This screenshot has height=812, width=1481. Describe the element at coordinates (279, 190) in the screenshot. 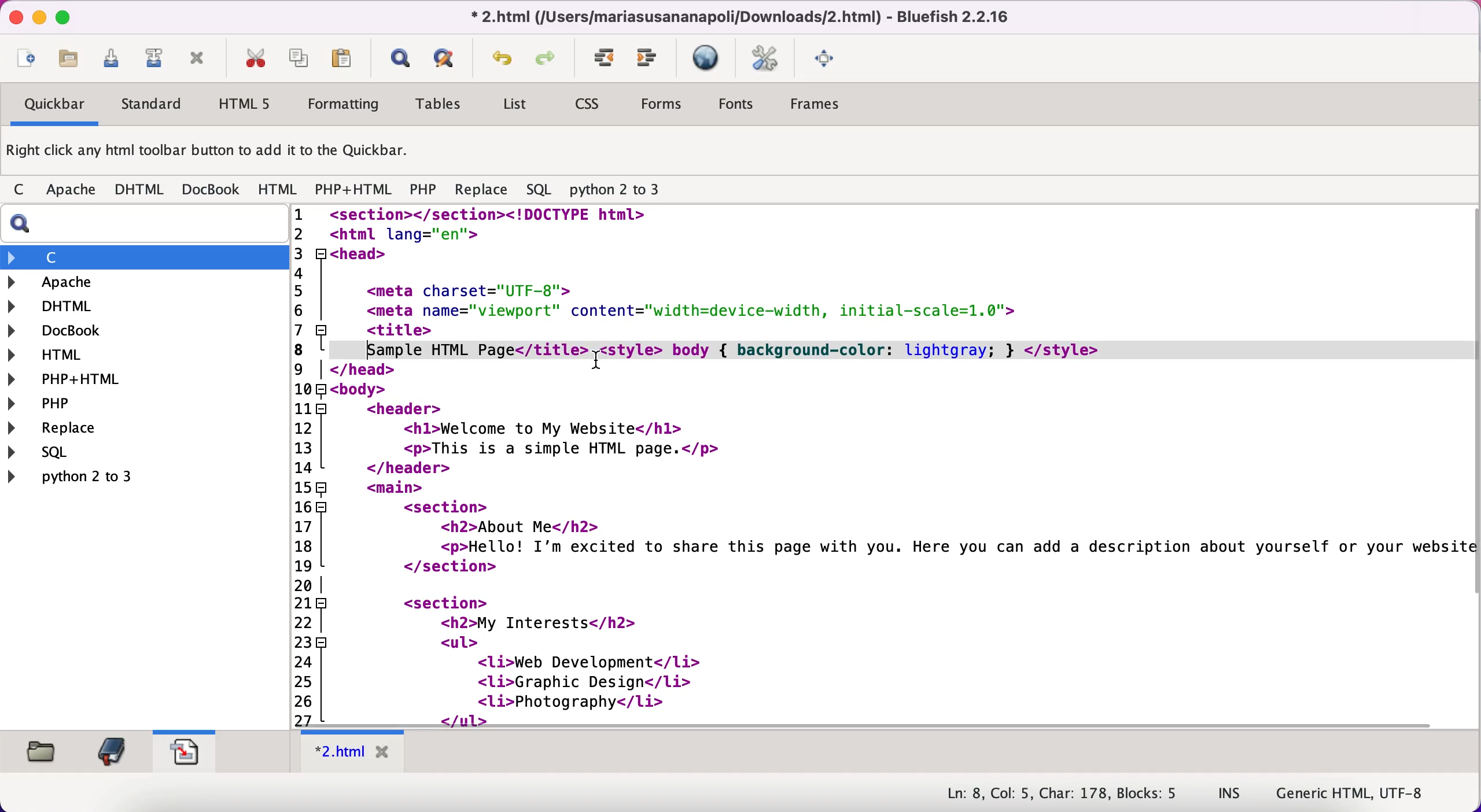

I see `html` at that location.